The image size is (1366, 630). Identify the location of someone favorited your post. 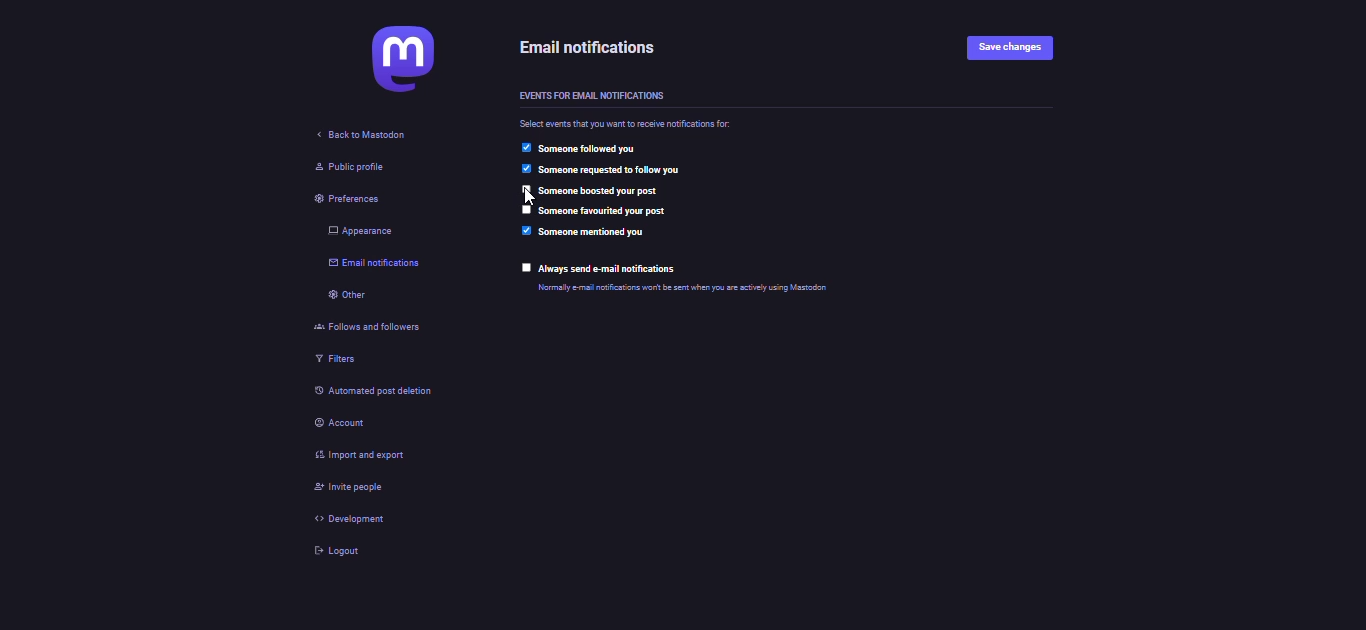
(602, 212).